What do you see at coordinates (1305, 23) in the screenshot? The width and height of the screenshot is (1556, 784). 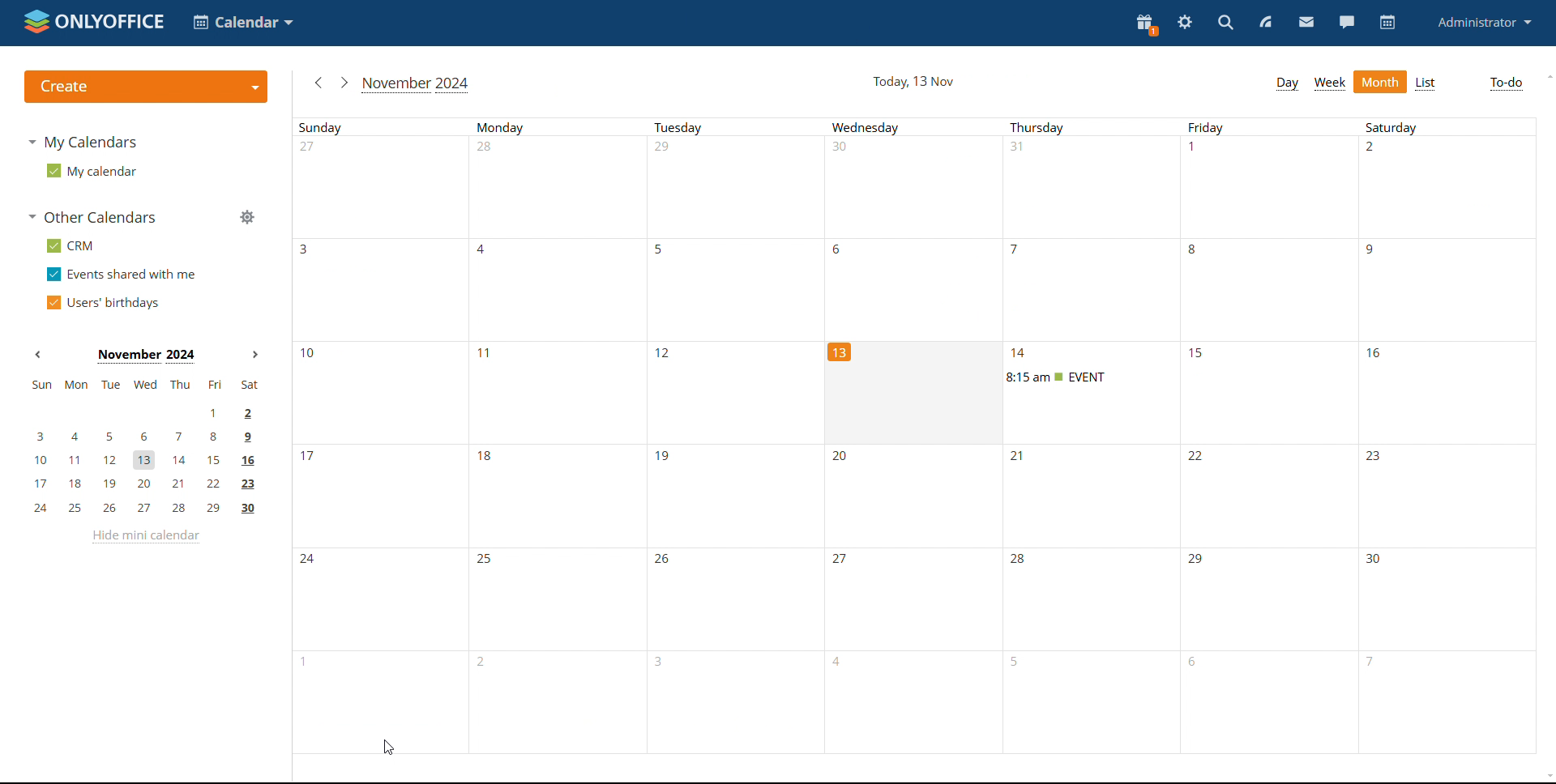 I see `mail` at bounding box center [1305, 23].